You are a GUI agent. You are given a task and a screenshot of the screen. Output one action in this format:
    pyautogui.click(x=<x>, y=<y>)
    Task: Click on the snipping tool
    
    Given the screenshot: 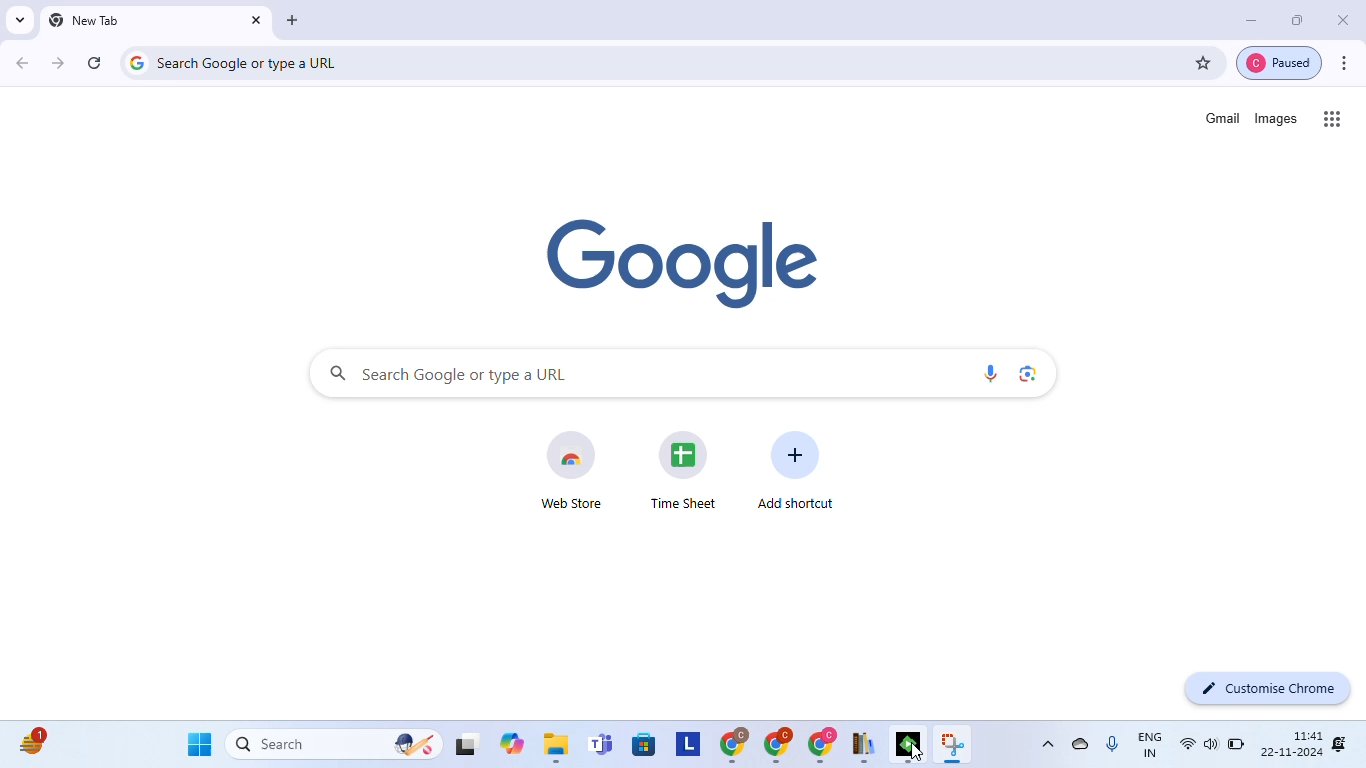 What is the action you would take?
    pyautogui.click(x=954, y=744)
    